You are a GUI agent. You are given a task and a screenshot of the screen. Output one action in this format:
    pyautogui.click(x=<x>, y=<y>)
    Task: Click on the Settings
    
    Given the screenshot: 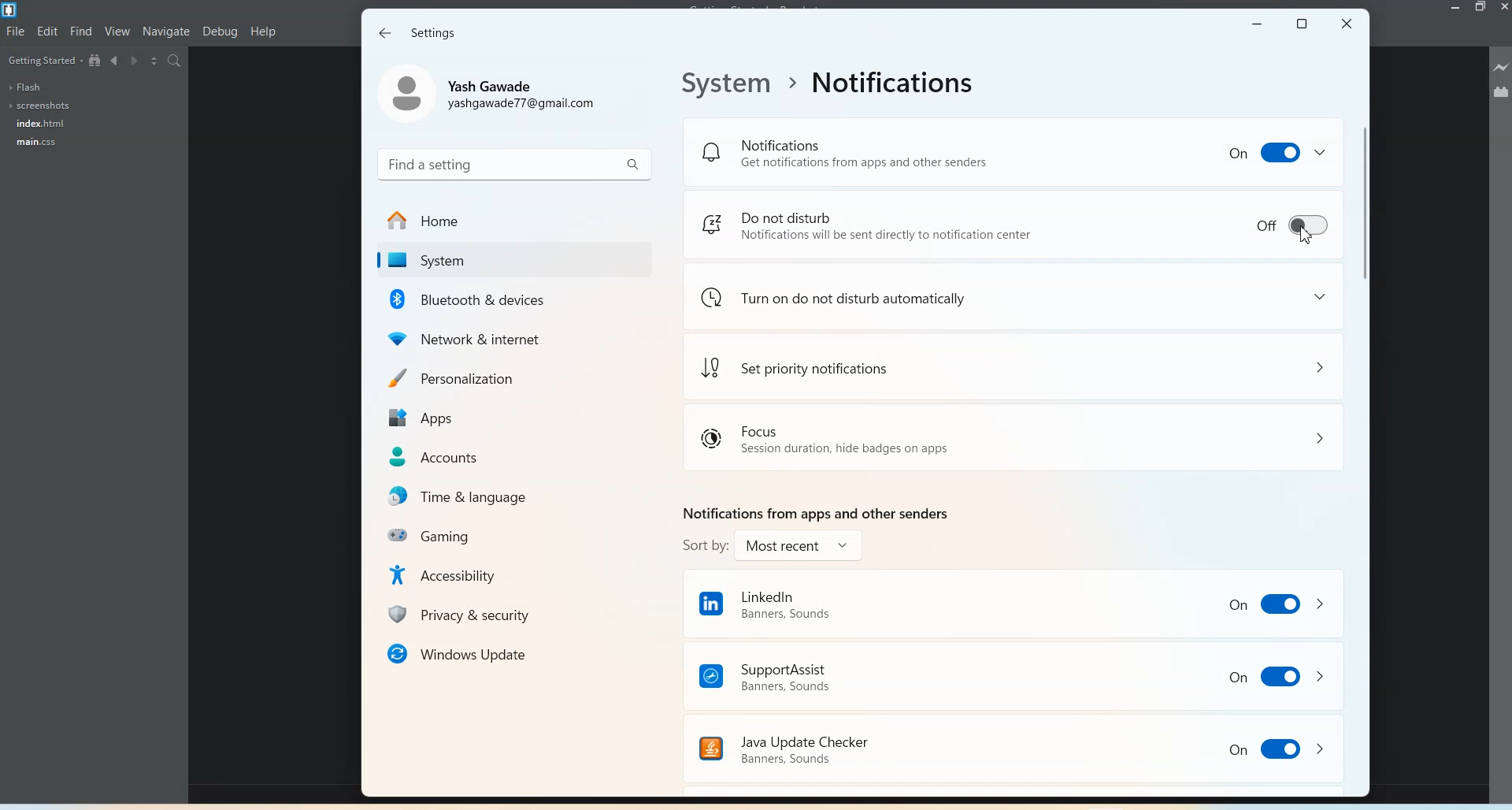 What is the action you would take?
    pyautogui.click(x=435, y=33)
    